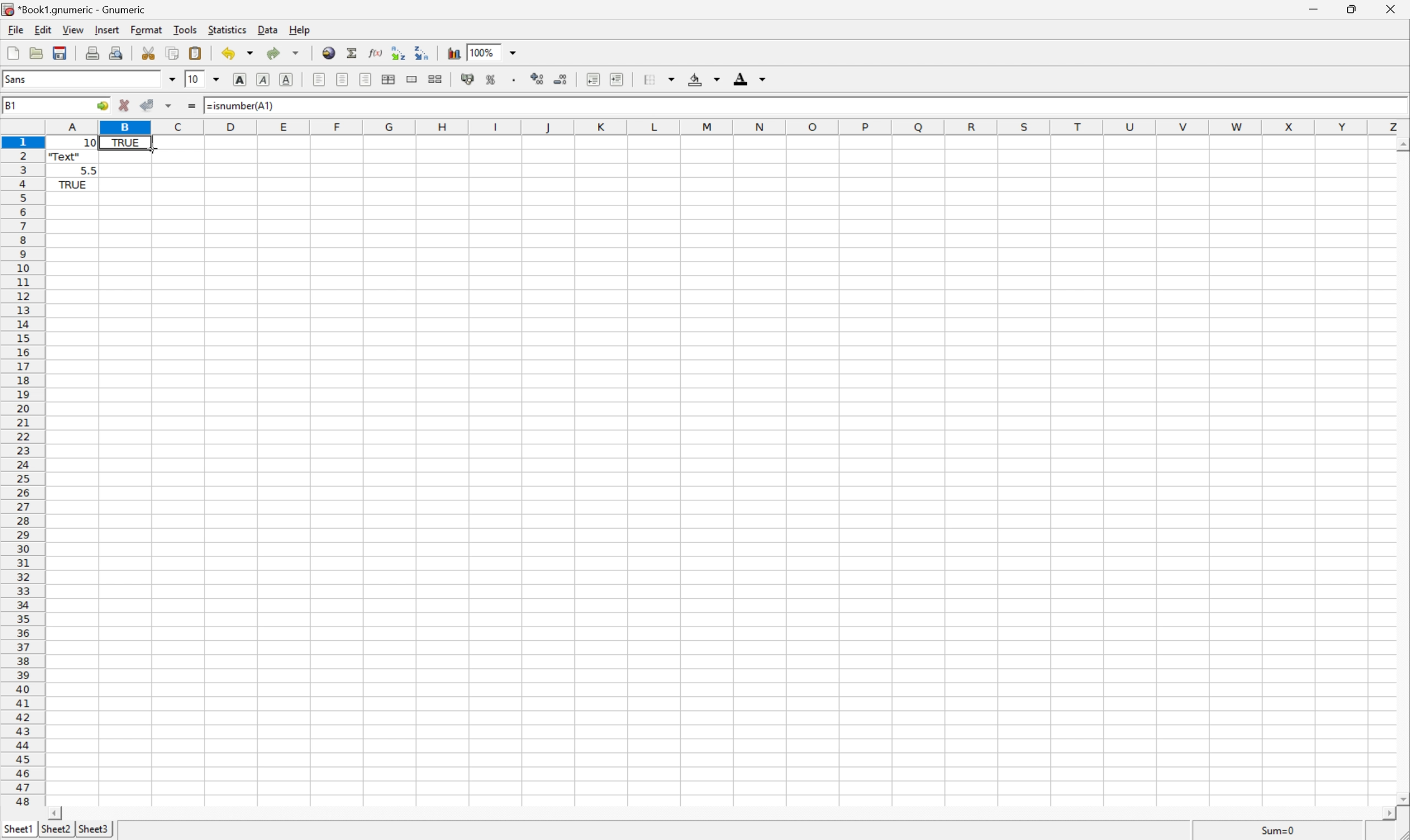 Image resolution: width=1410 pixels, height=840 pixels. I want to click on =ISNUMBER(A1), so click(126, 142).